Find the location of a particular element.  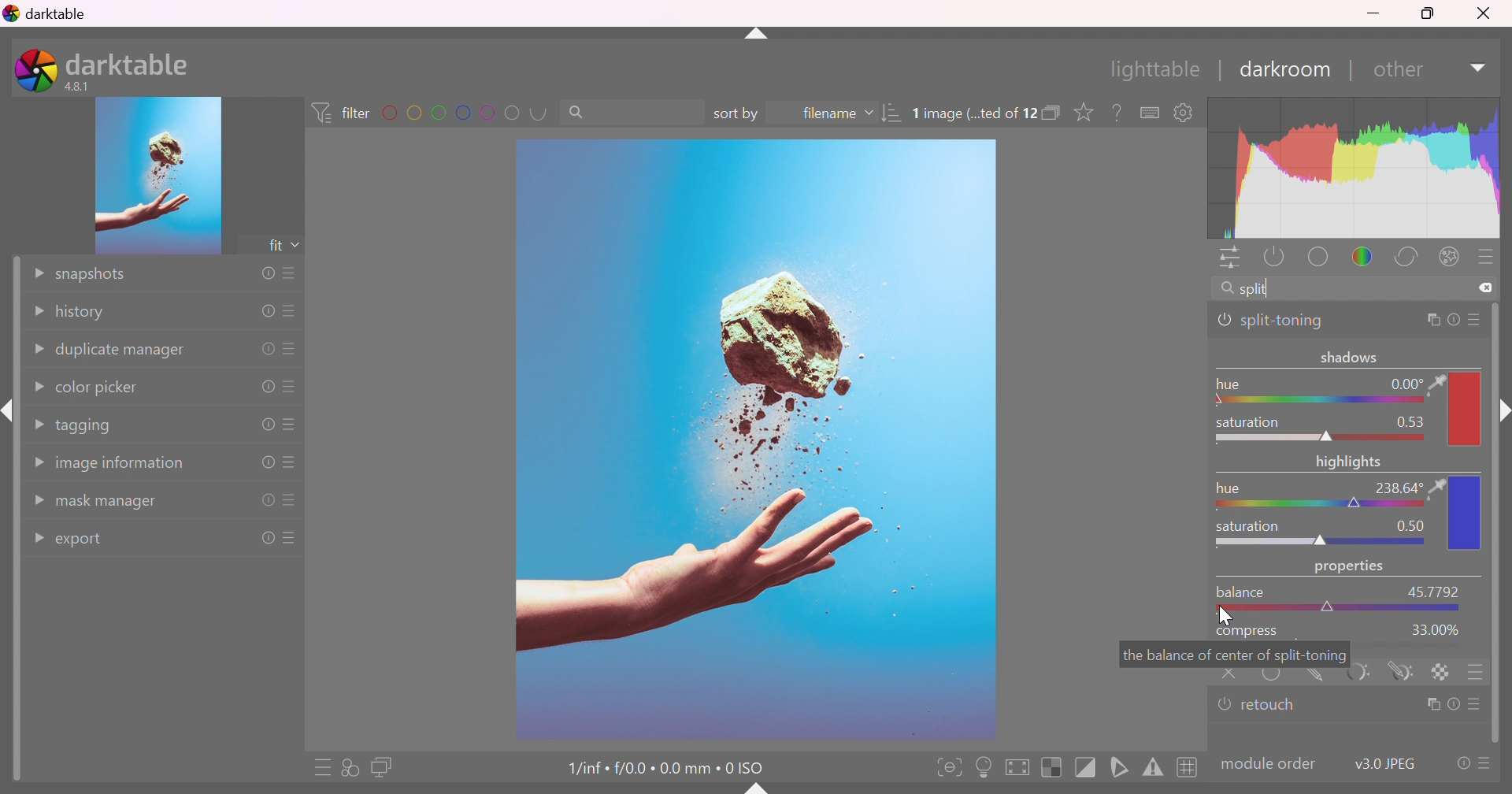

| is located at coordinates (1218, 72).